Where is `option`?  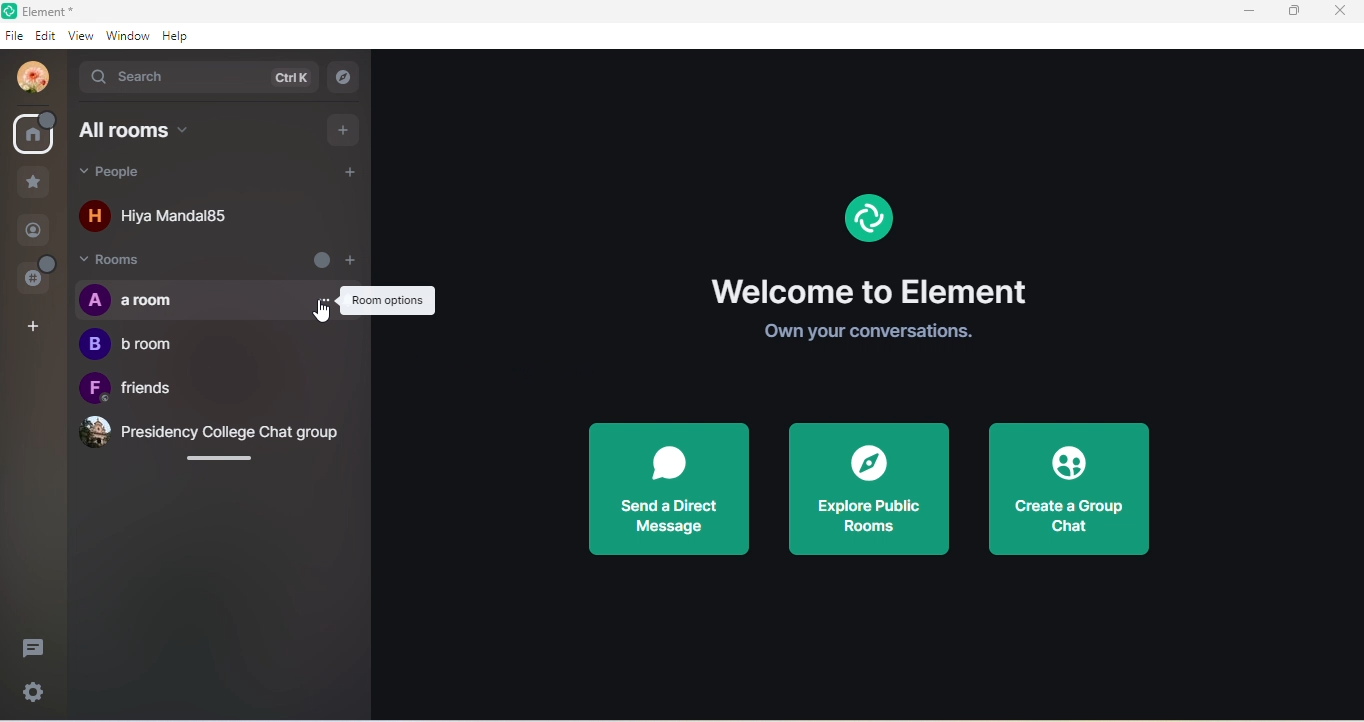 option is located at coordinates (324, 294).